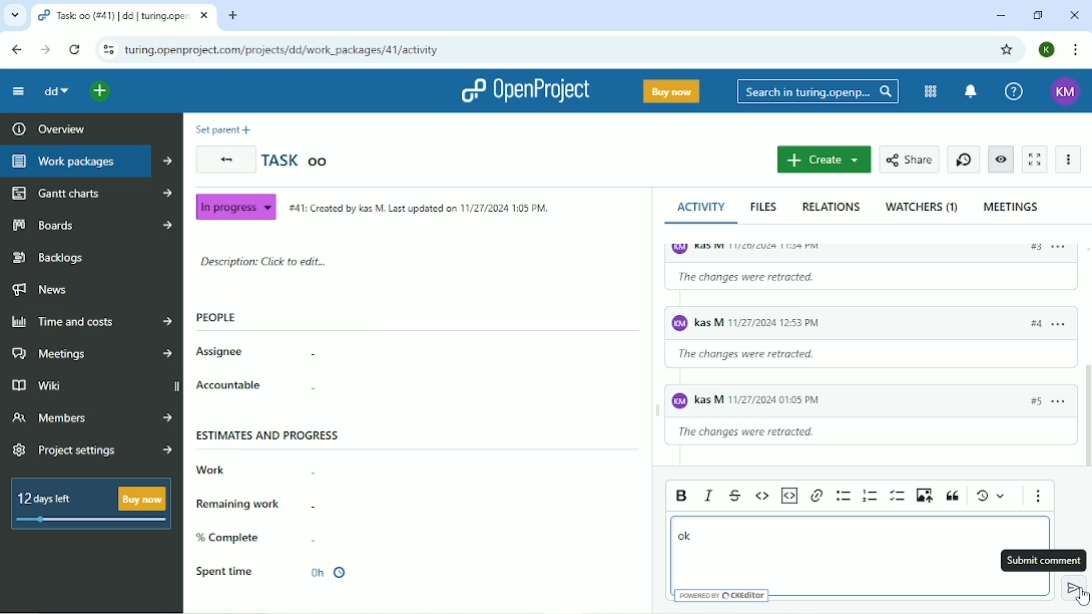  Describe the element at coordinates (256, 386) in the screenshot. I see `Accountable` at that location.